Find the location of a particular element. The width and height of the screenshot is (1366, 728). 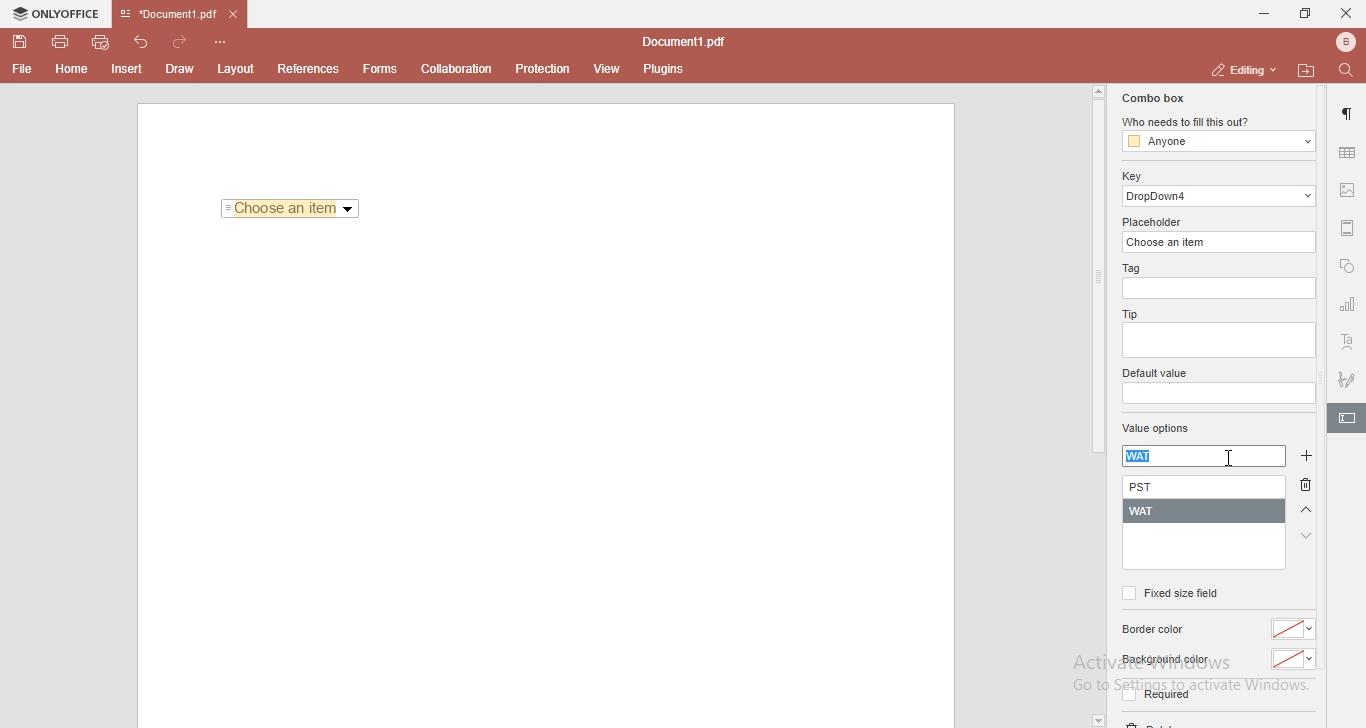

References is located at coordinates (306, 69).